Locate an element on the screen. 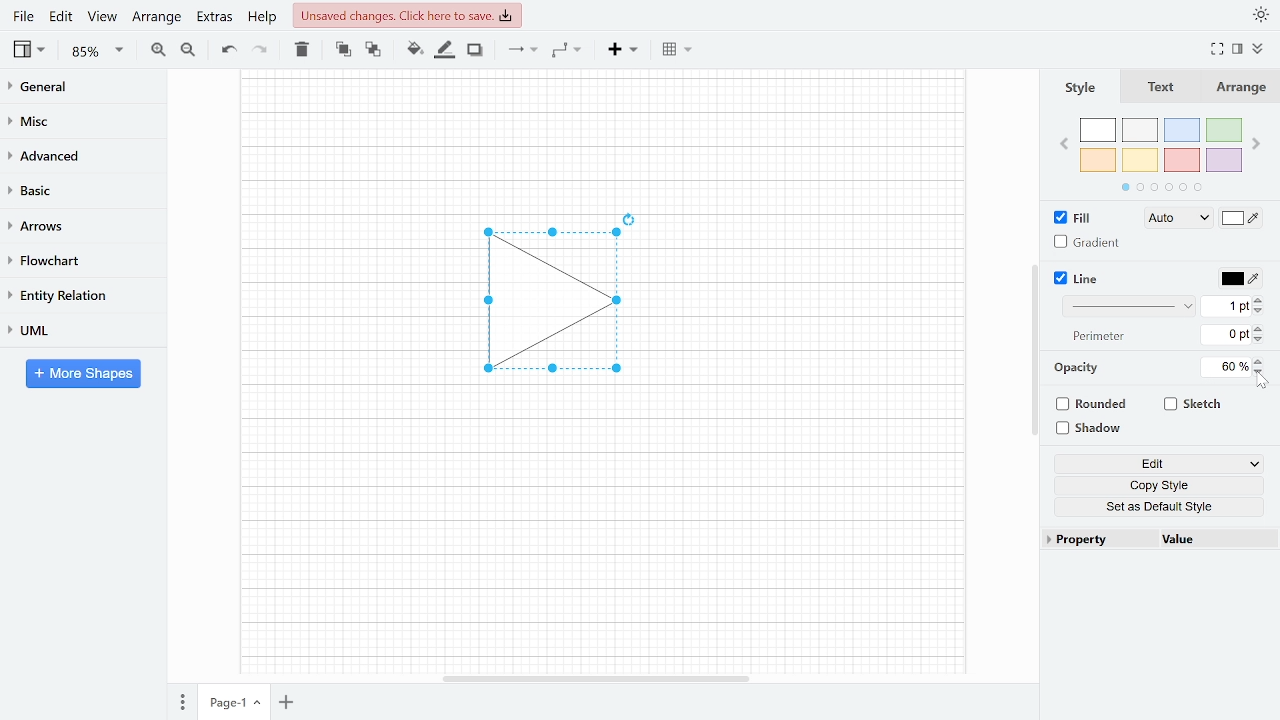  ash is located at coordinates (1142, 131).